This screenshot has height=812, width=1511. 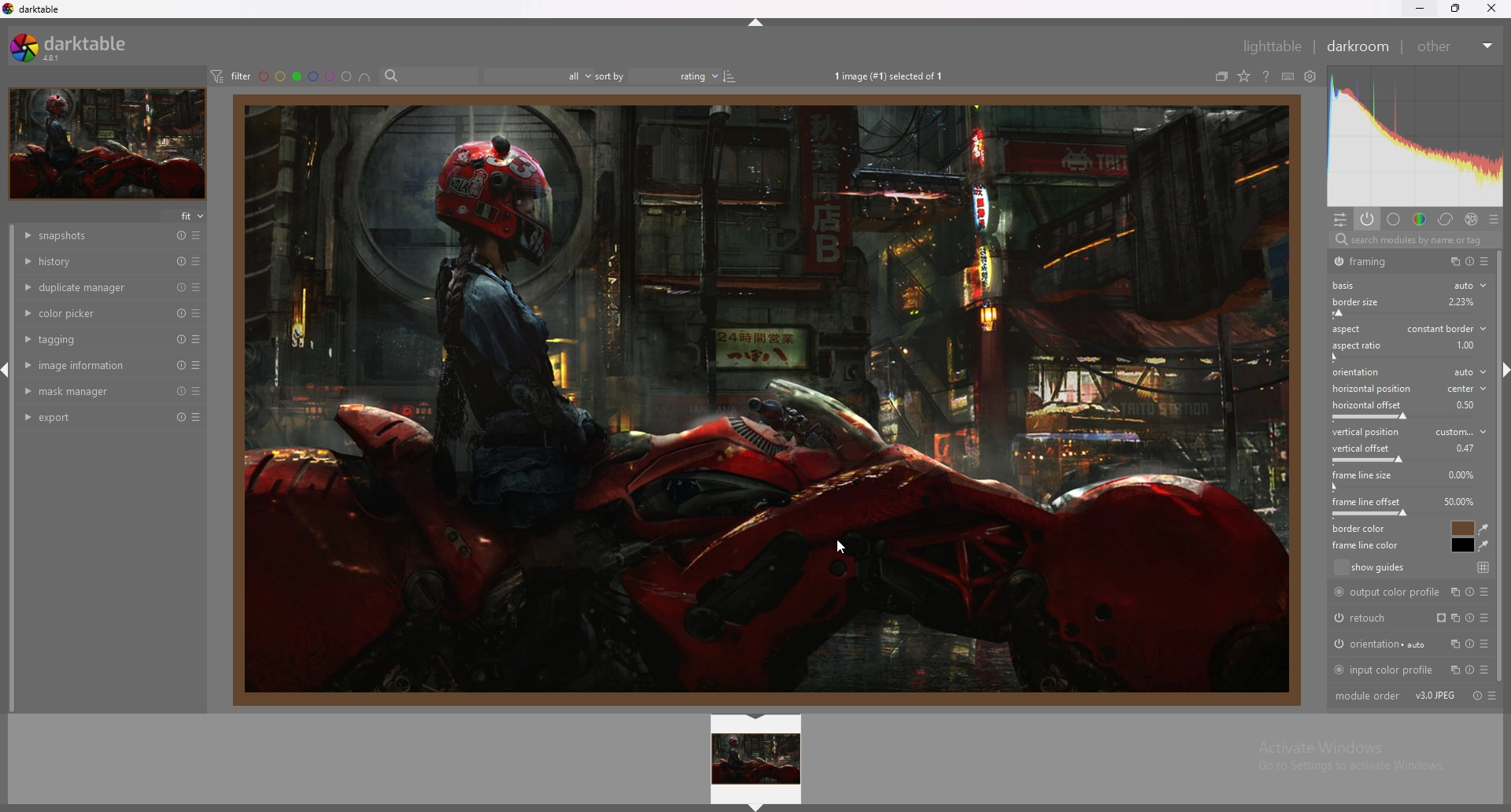 I want to click on vertical offset bar, so click(x=1406, y=460).